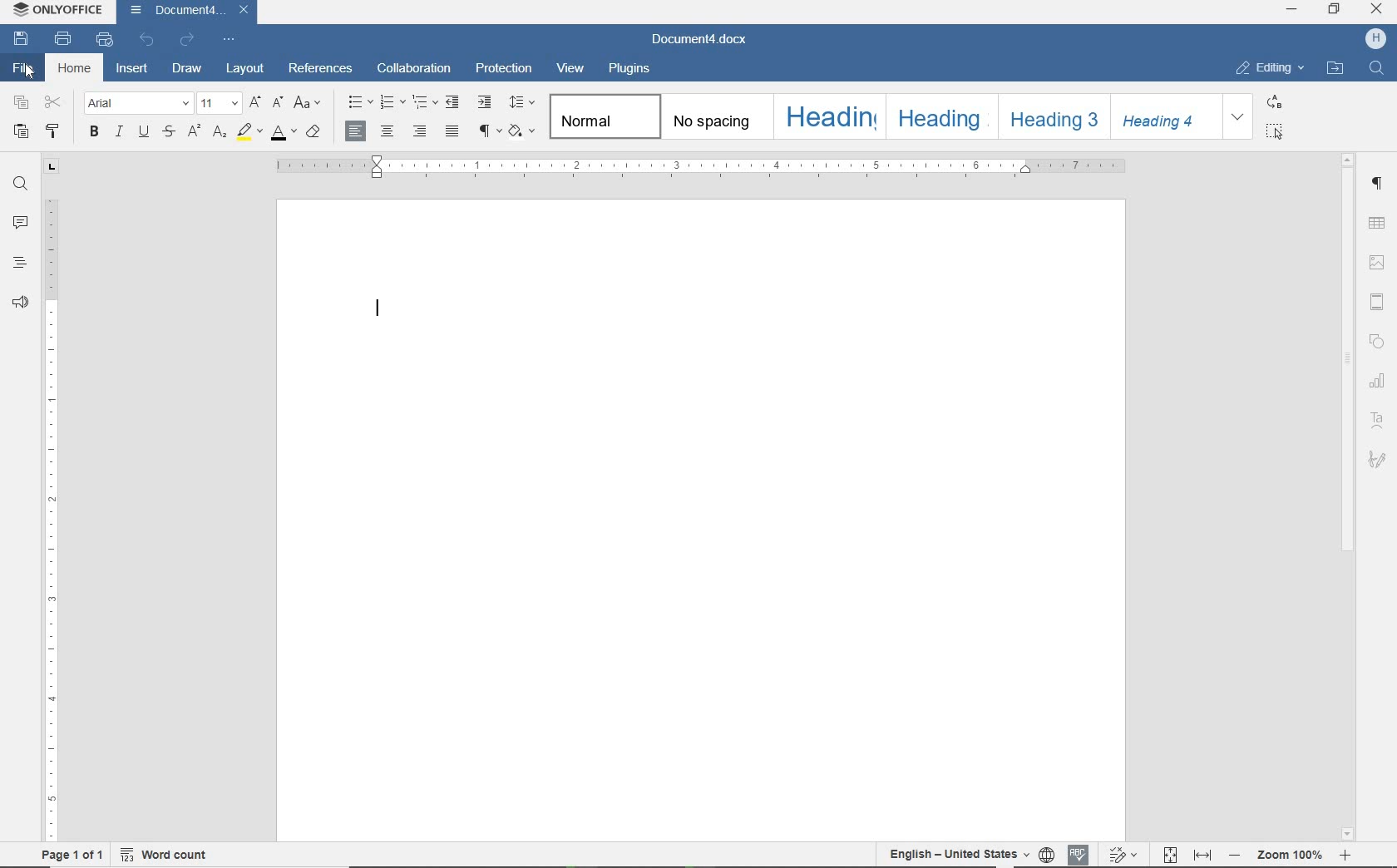 Image resolution: width=1397 pixels, height=868 pixels. I want to click on Writing Space, so click(703, 567).